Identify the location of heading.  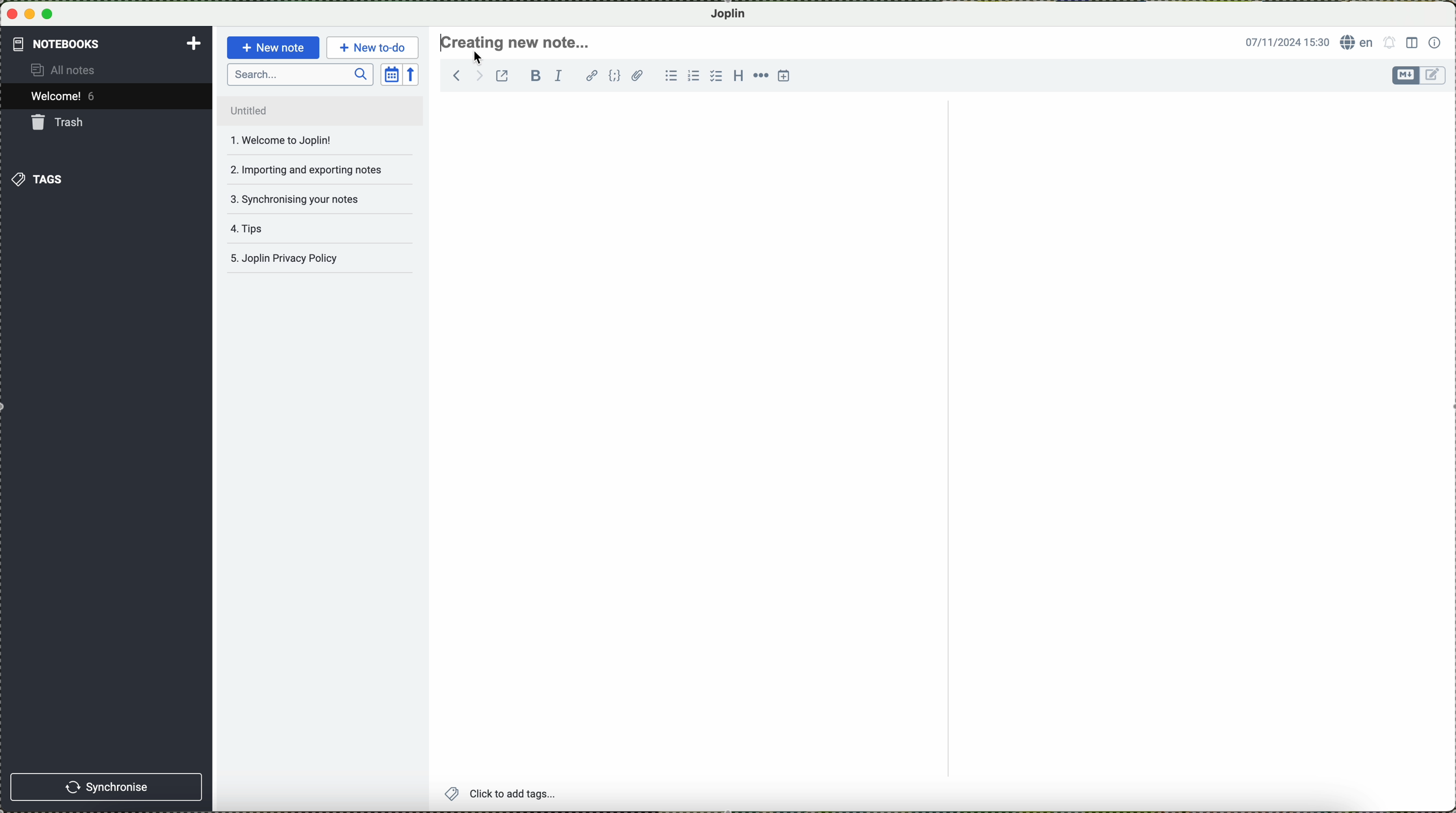
(736, 75).